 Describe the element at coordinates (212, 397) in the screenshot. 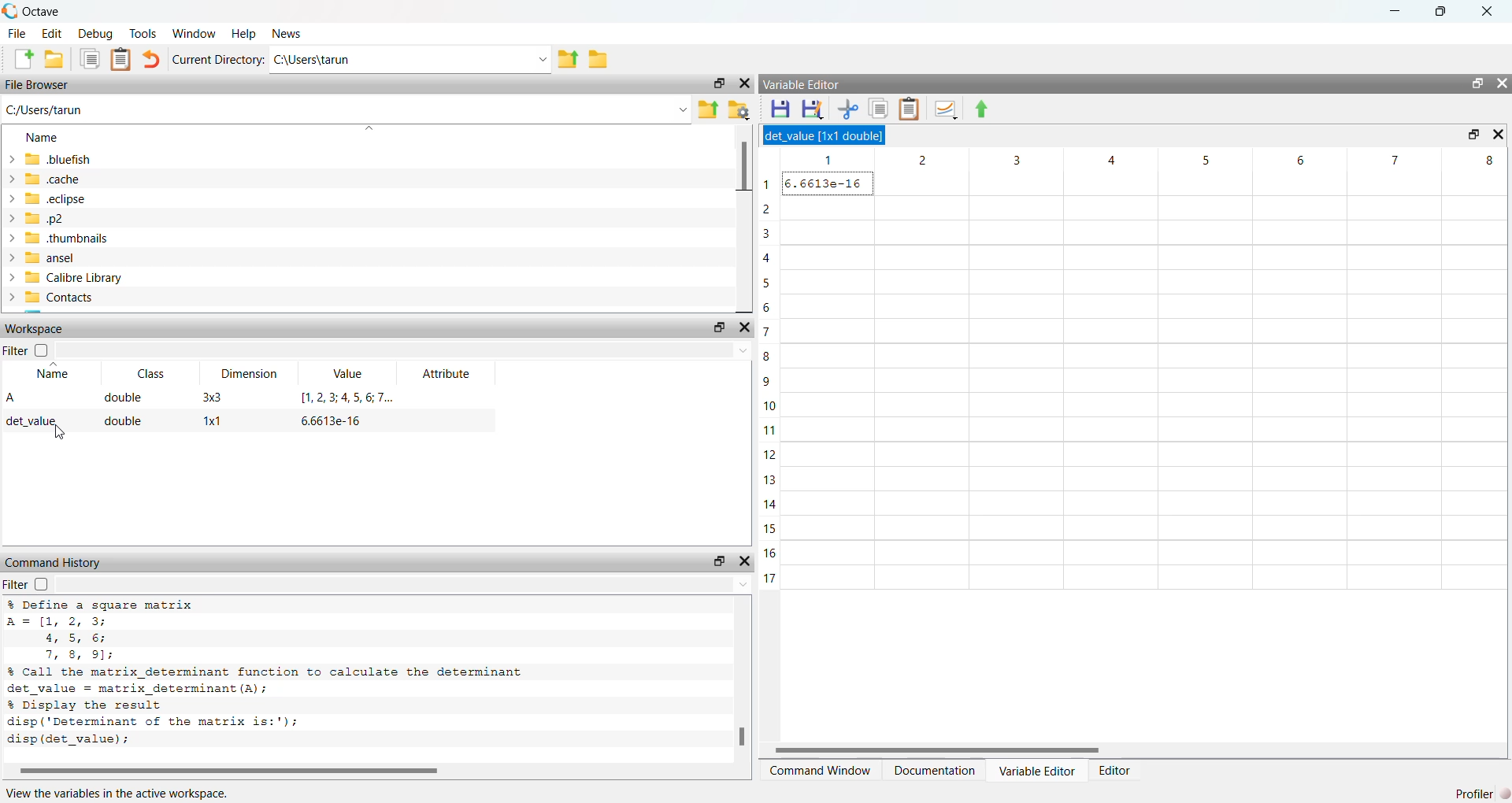

I see `3x3` at that location.